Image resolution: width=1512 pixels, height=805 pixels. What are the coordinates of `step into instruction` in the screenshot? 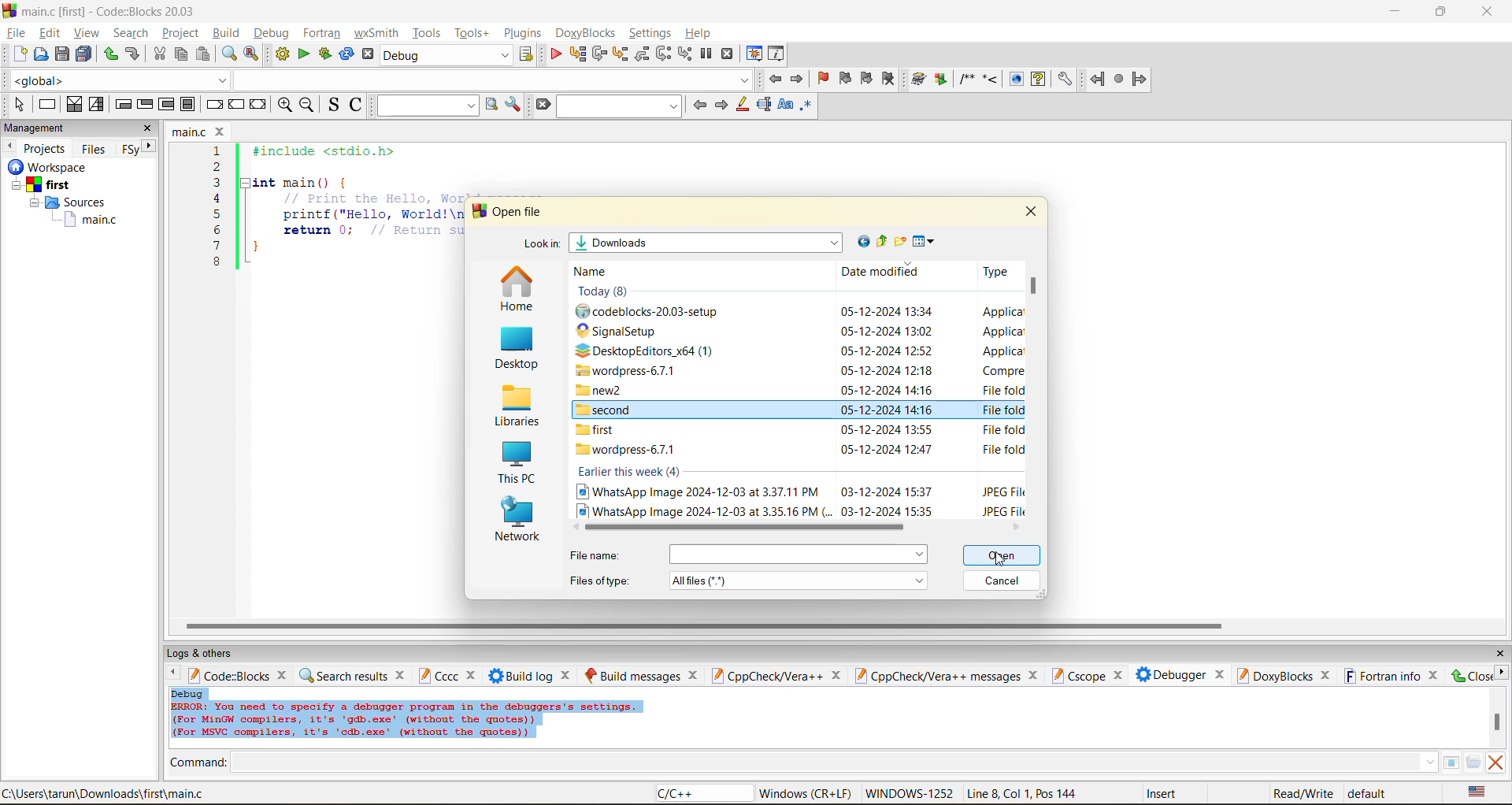 It's located at (684, 54).